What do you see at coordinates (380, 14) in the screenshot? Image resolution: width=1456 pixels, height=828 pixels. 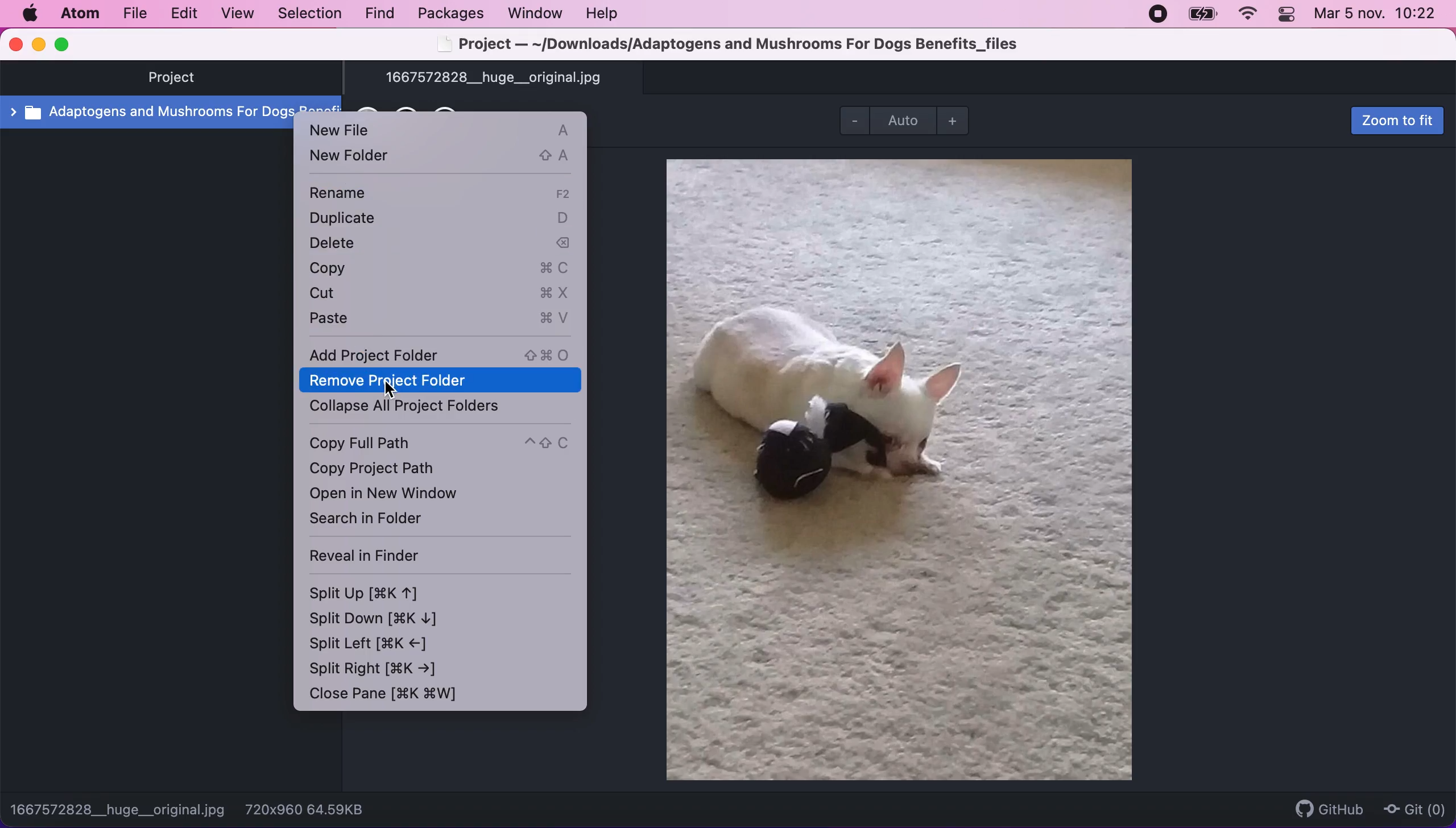 I see `find` at bounding box center [380, 14].